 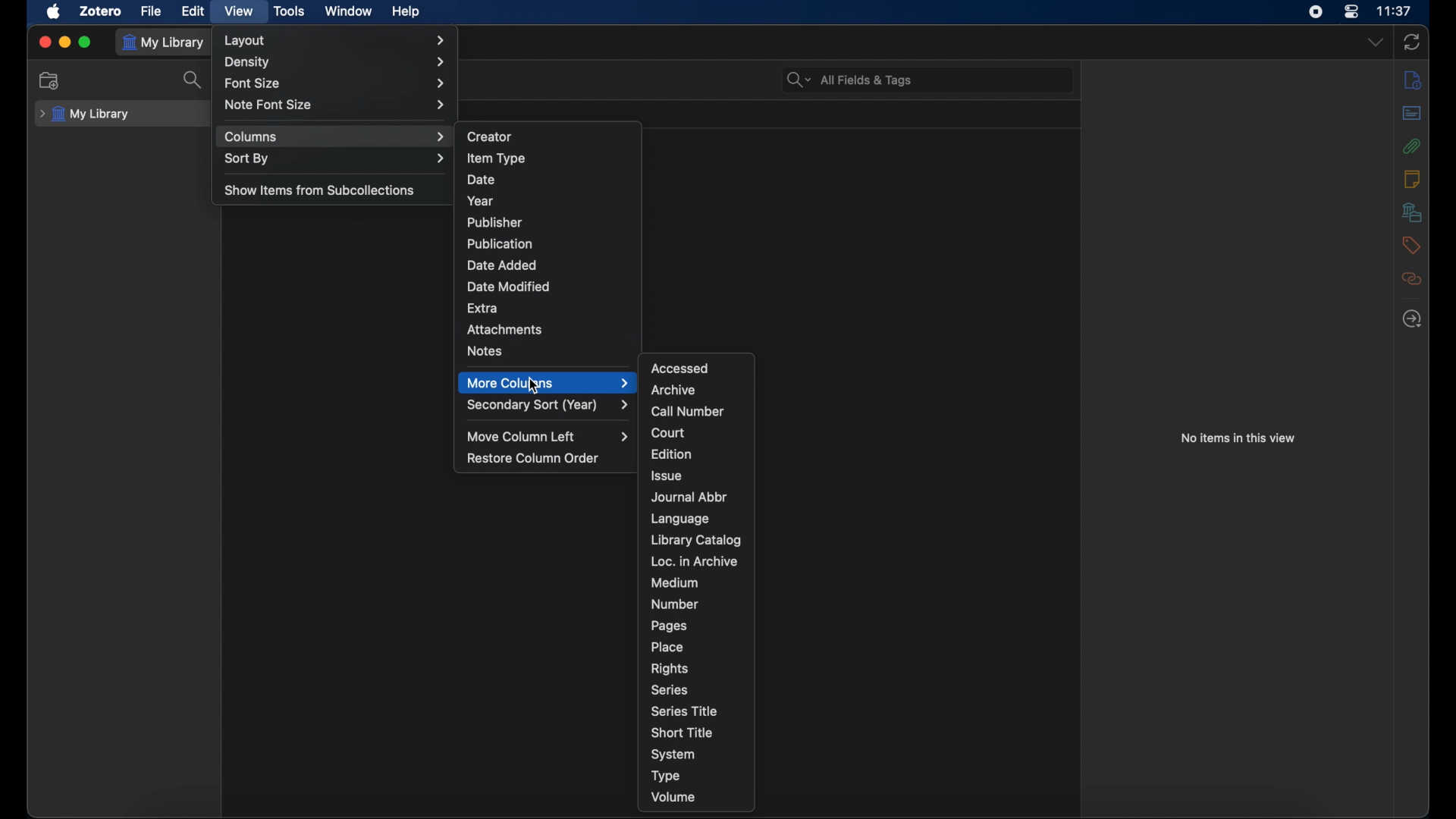 What do you see at coordinates (1238, 437) in the screenshot?
I see `no items in this view` at bounding box center [1238, 437].